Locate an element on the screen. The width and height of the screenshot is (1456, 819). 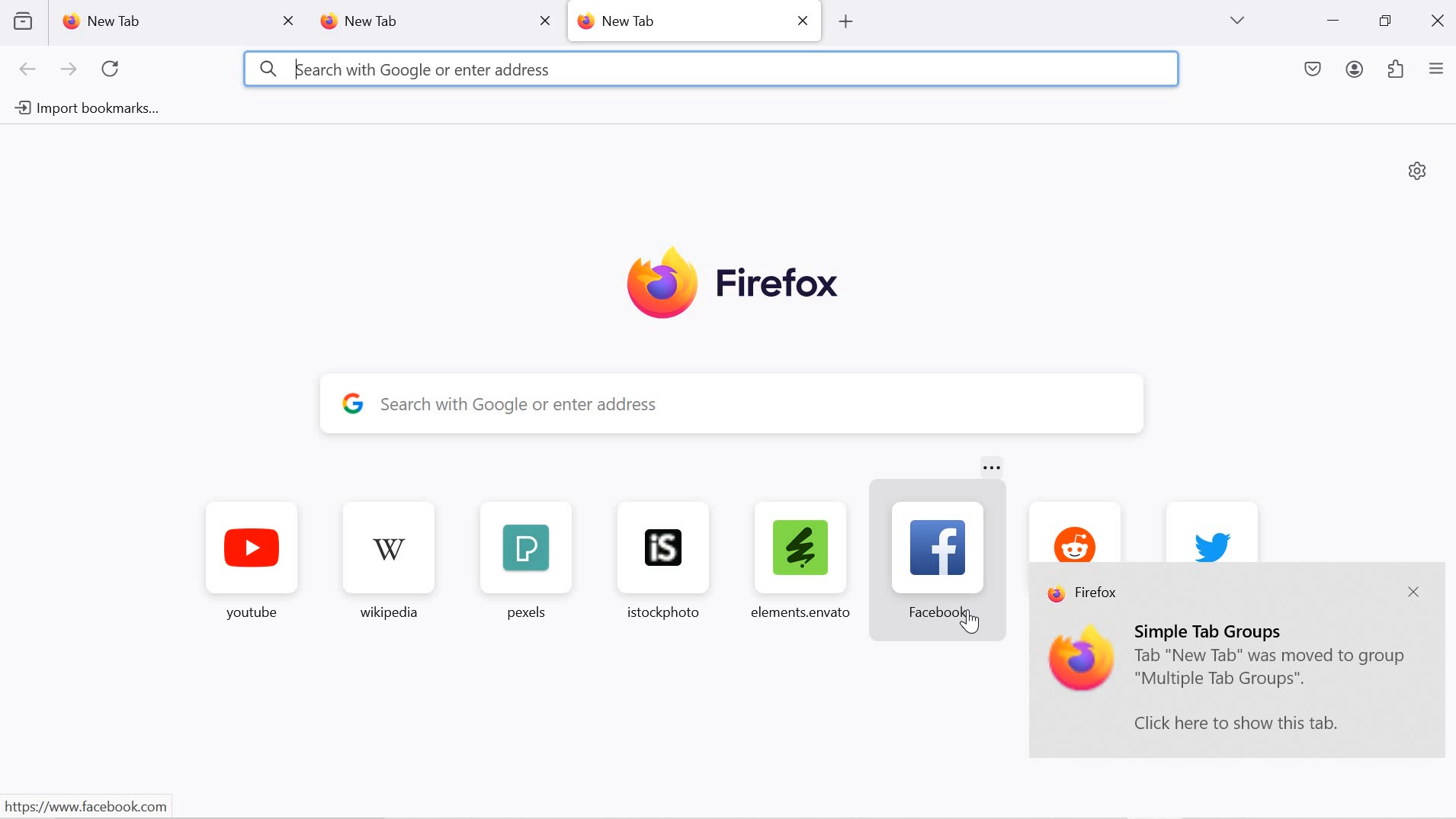
google logo is located at coordinates (353, 402).